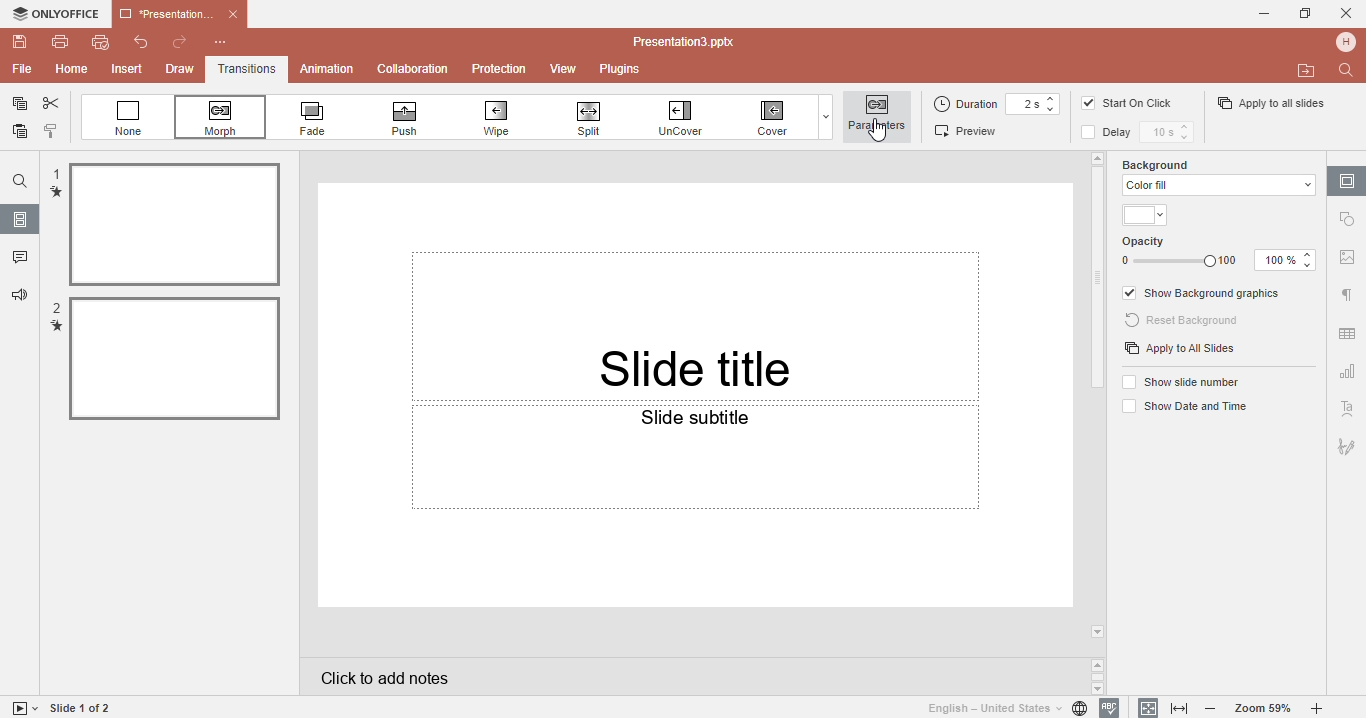  Describe the element at coordinates (1346, 443) in the screenshot. I see `Signature setting` at that location.